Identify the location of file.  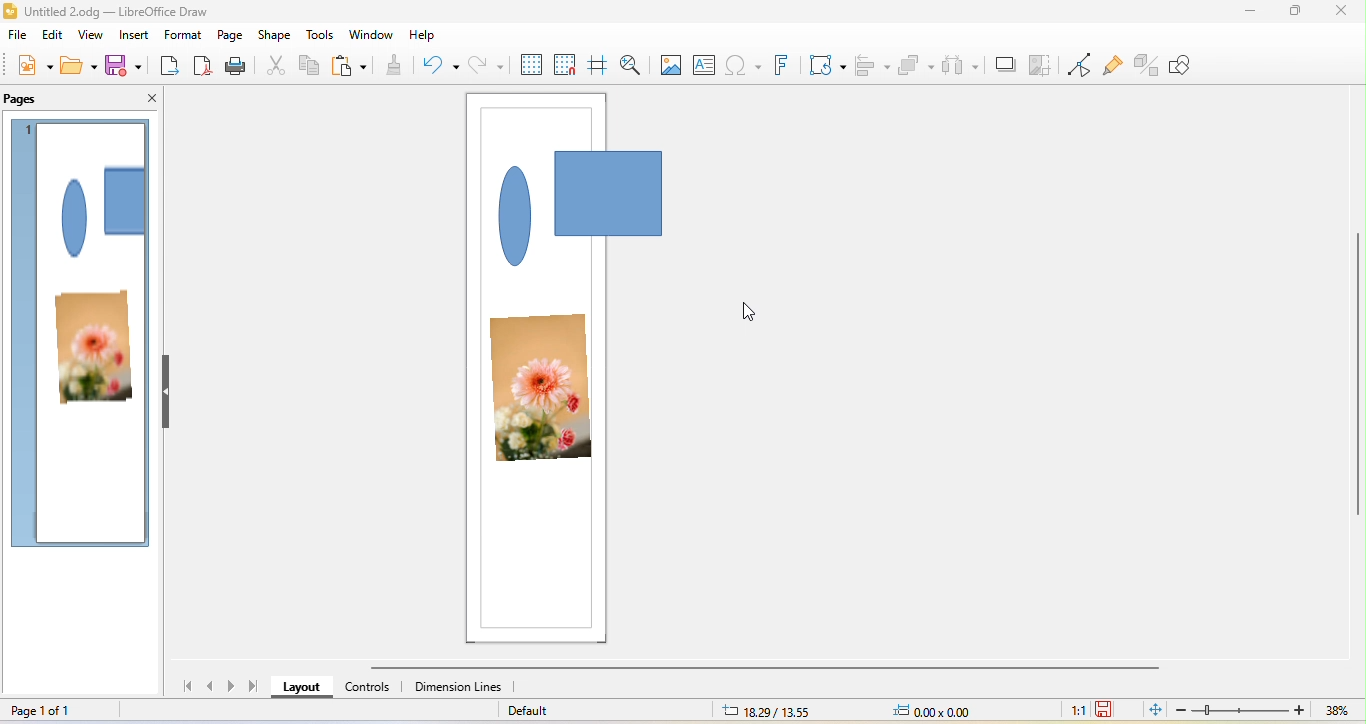
(18, 38).